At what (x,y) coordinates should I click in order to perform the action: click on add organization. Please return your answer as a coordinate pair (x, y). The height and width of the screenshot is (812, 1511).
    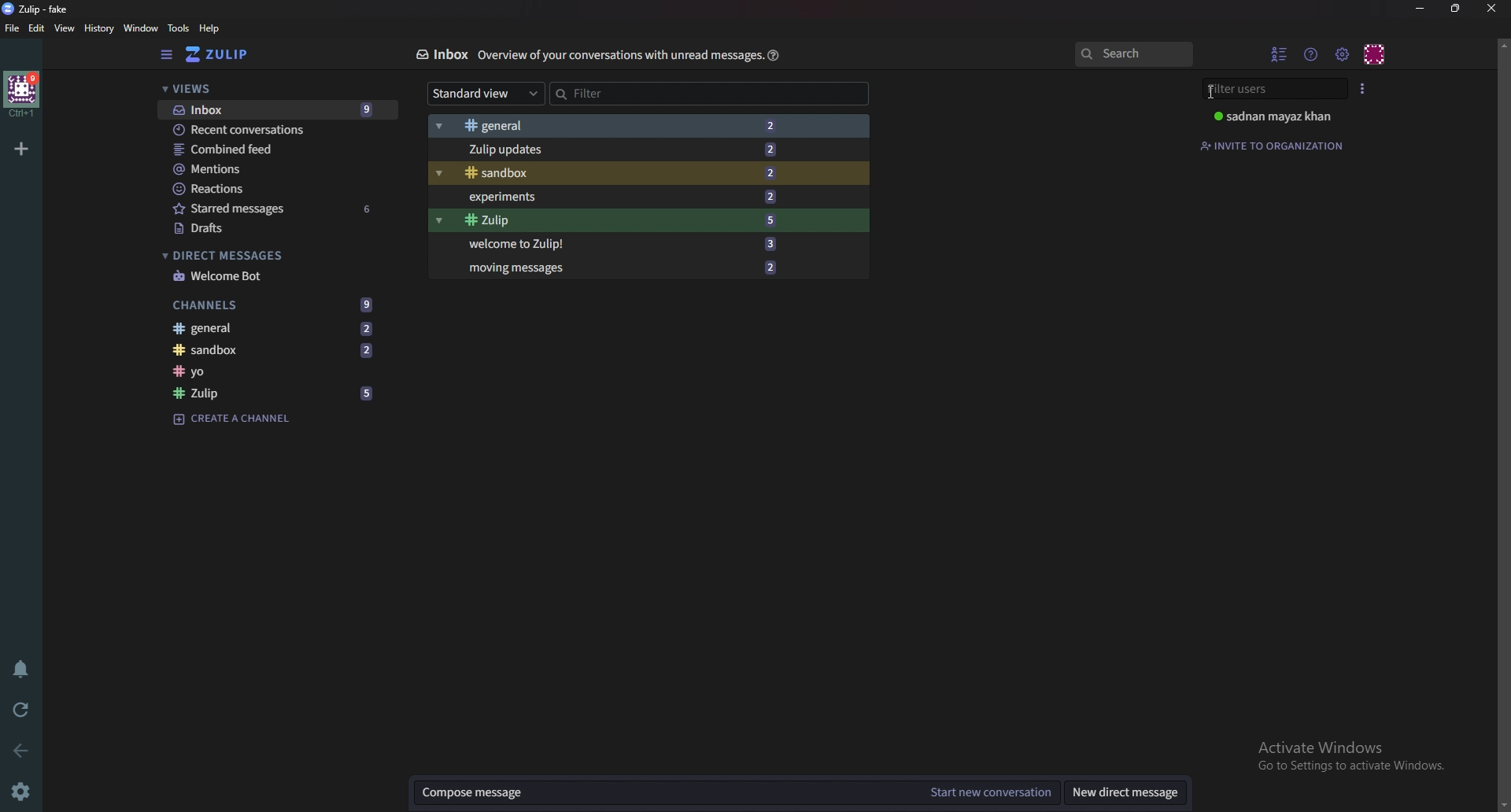
    Looking at the image, I should click on (21, 148).